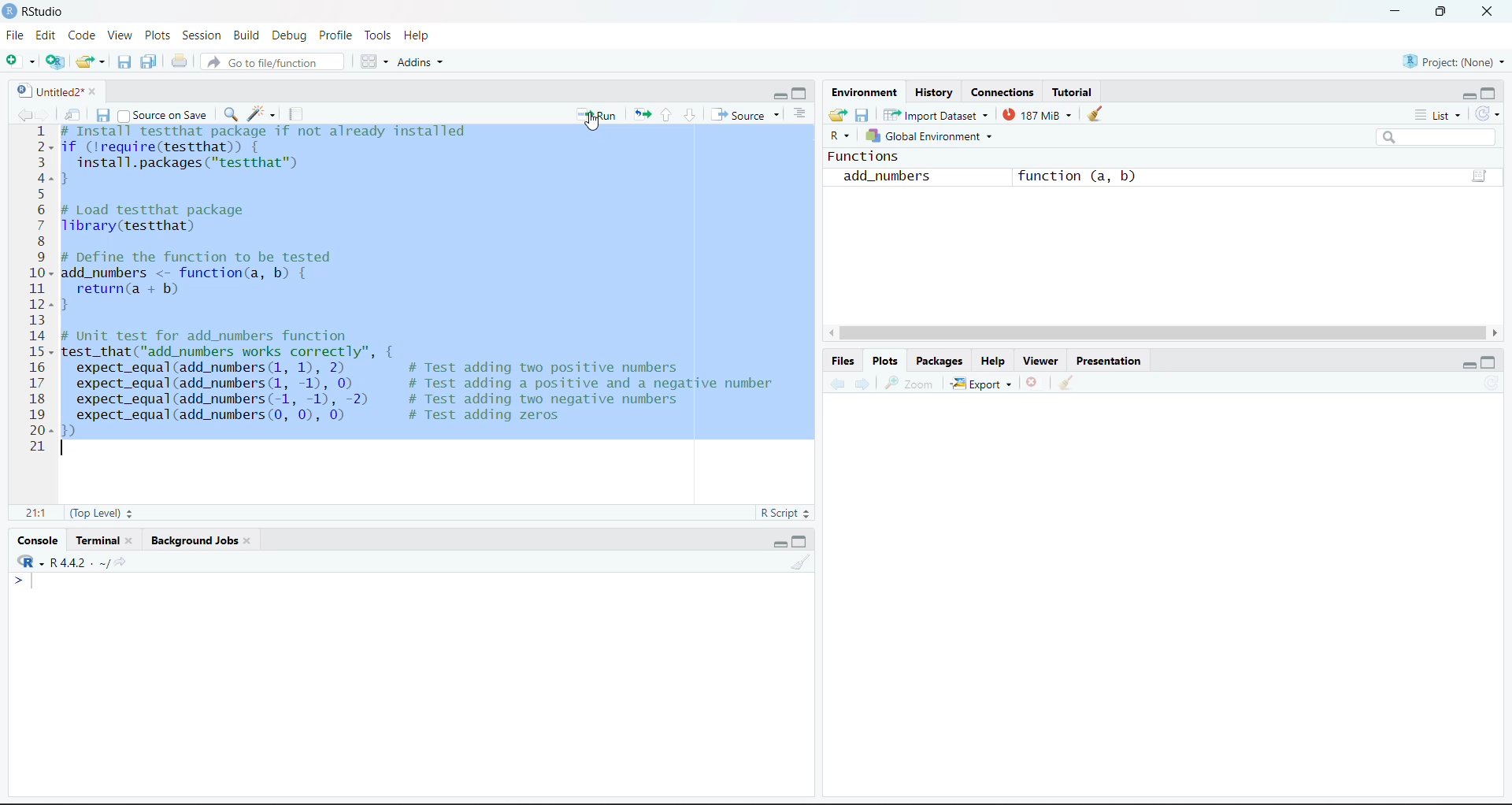 This screenshot has width=1512, height=805. What do you see at coordinates (799, 113) in the screenshot?
I see `show document outline` at bounding box center [799, 113].